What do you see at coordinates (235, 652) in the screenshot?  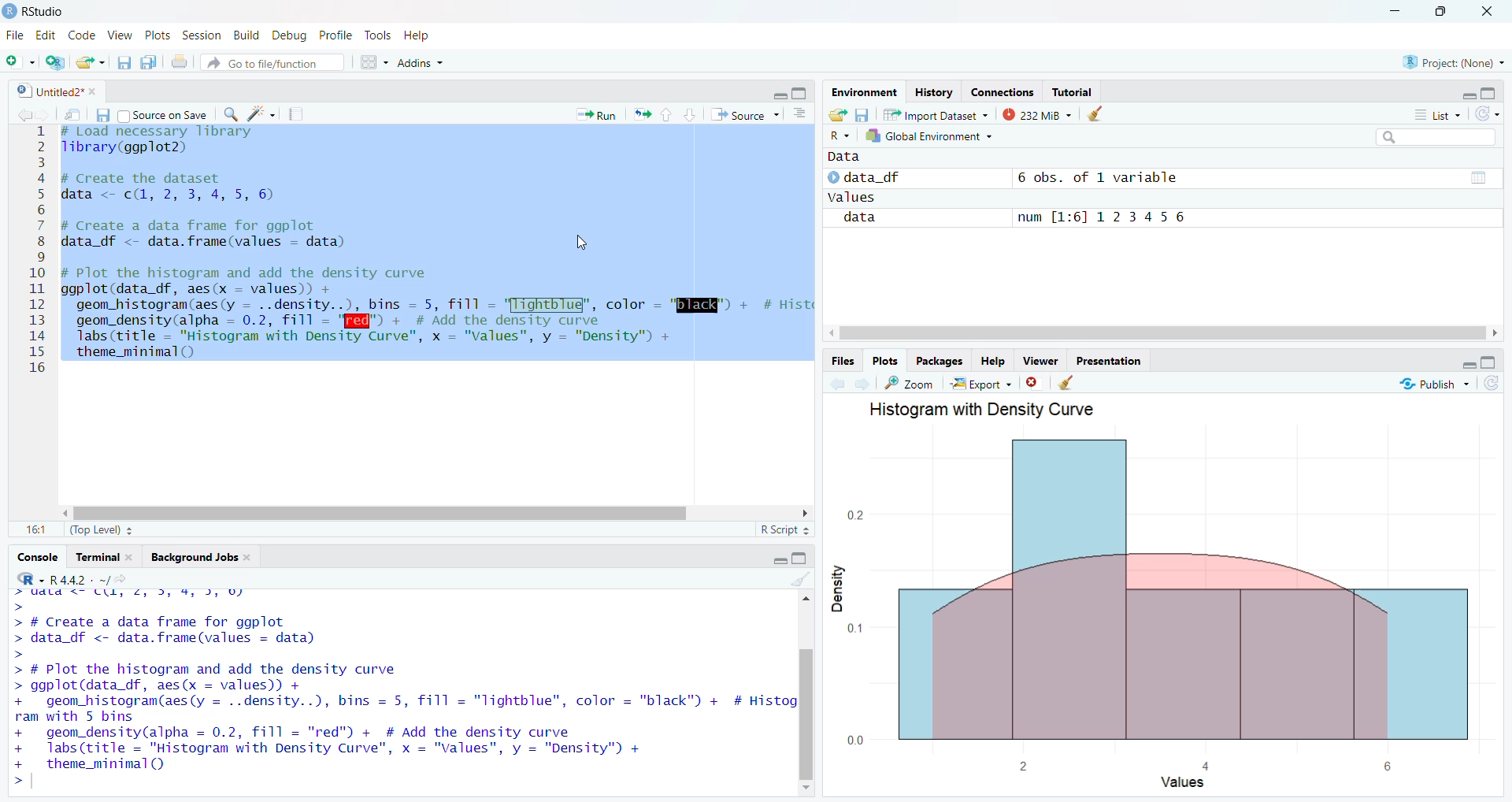 I see `# Create a data frame for ggplotdata_df <- data.frame(values = data)# Plot the histogram and add the density curveggplot(data_df, aes(x = values)) +` at bounding box center [235, 652].